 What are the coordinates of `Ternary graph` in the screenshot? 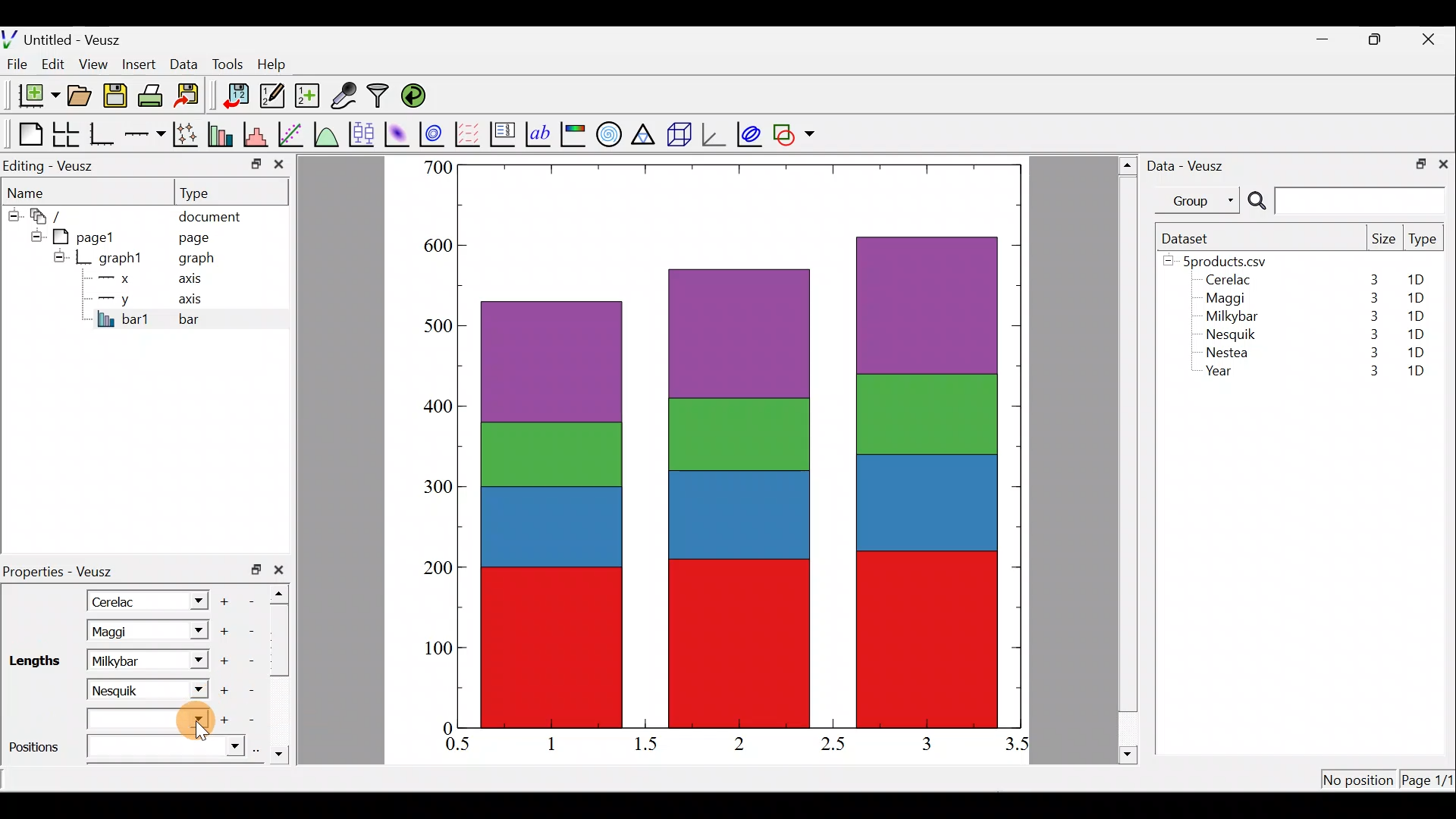 It's located at (645, 132).